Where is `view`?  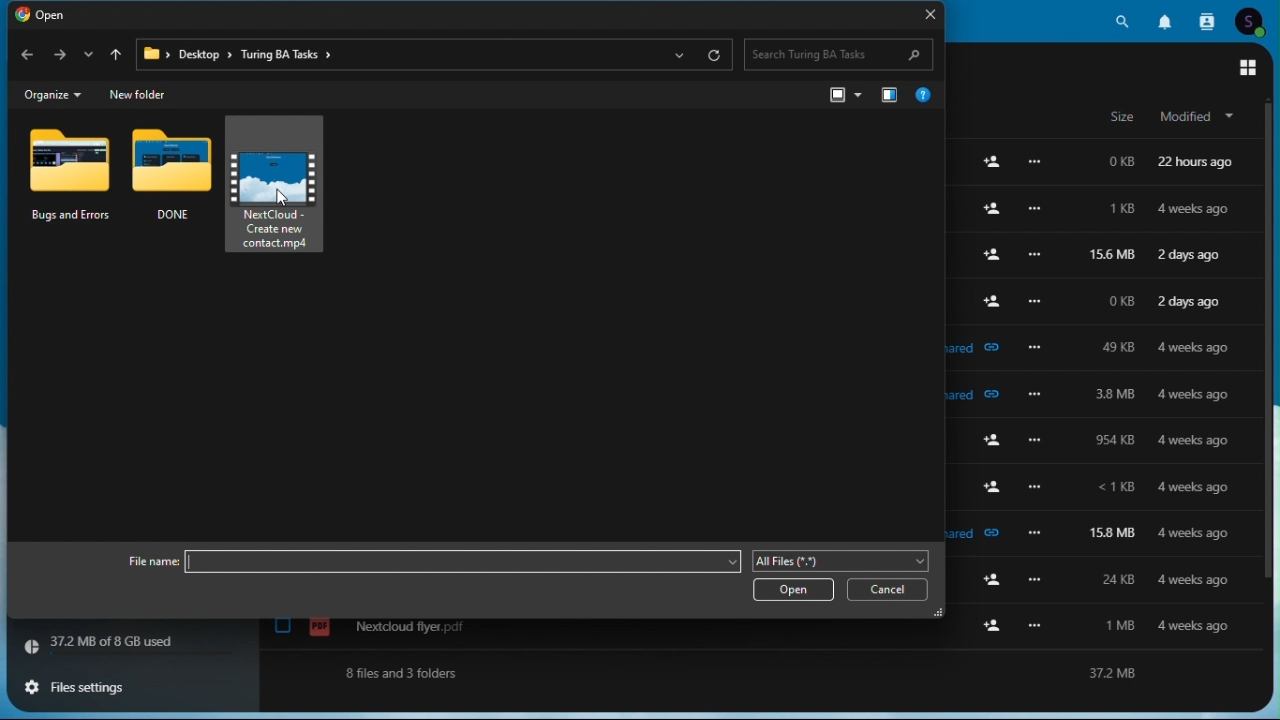
view is located at coordinates (847, 95).